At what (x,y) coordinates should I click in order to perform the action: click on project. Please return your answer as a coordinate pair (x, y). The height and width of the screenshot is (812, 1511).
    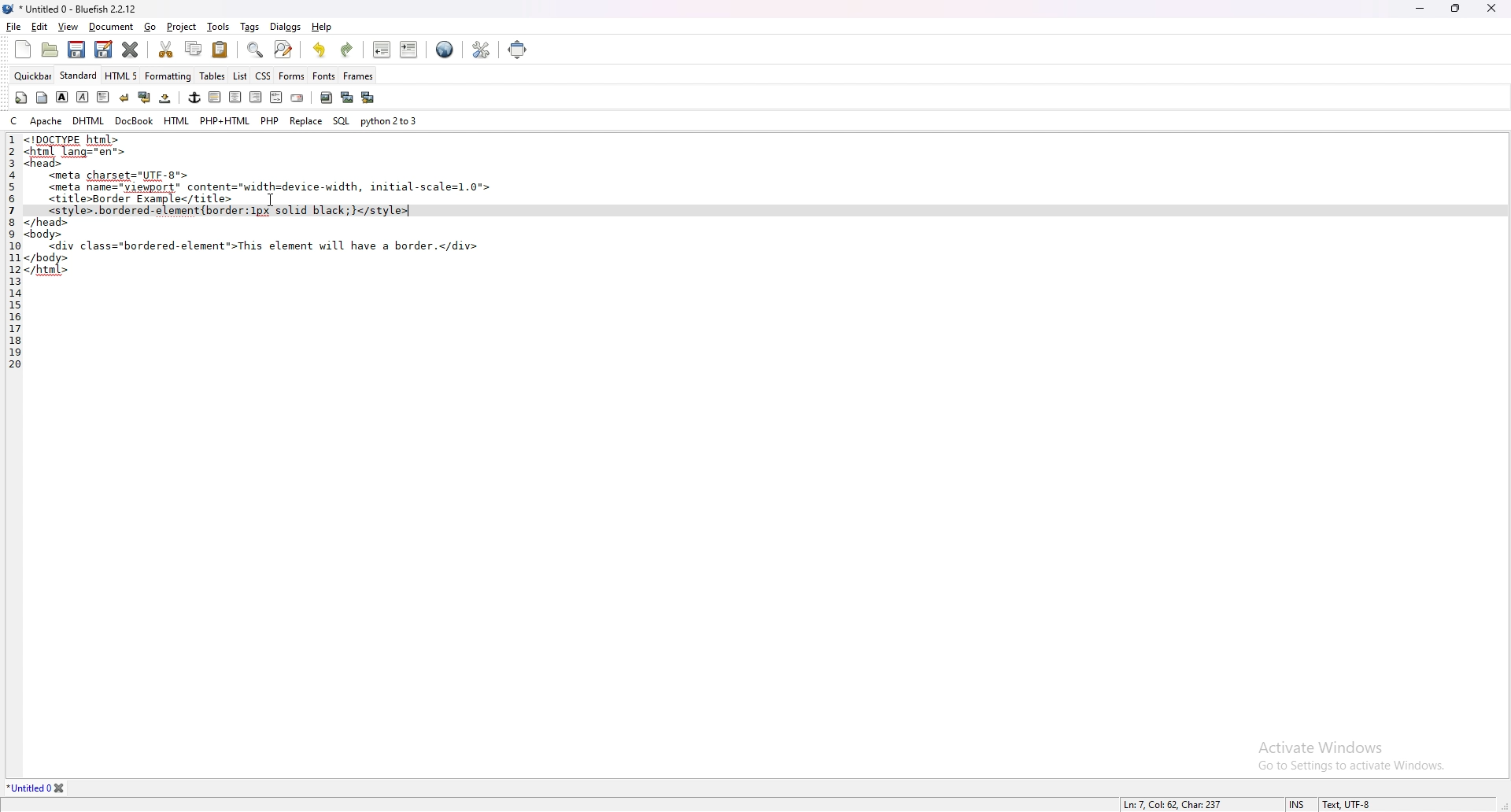
    Looking at the image, I should click on (183, 28).